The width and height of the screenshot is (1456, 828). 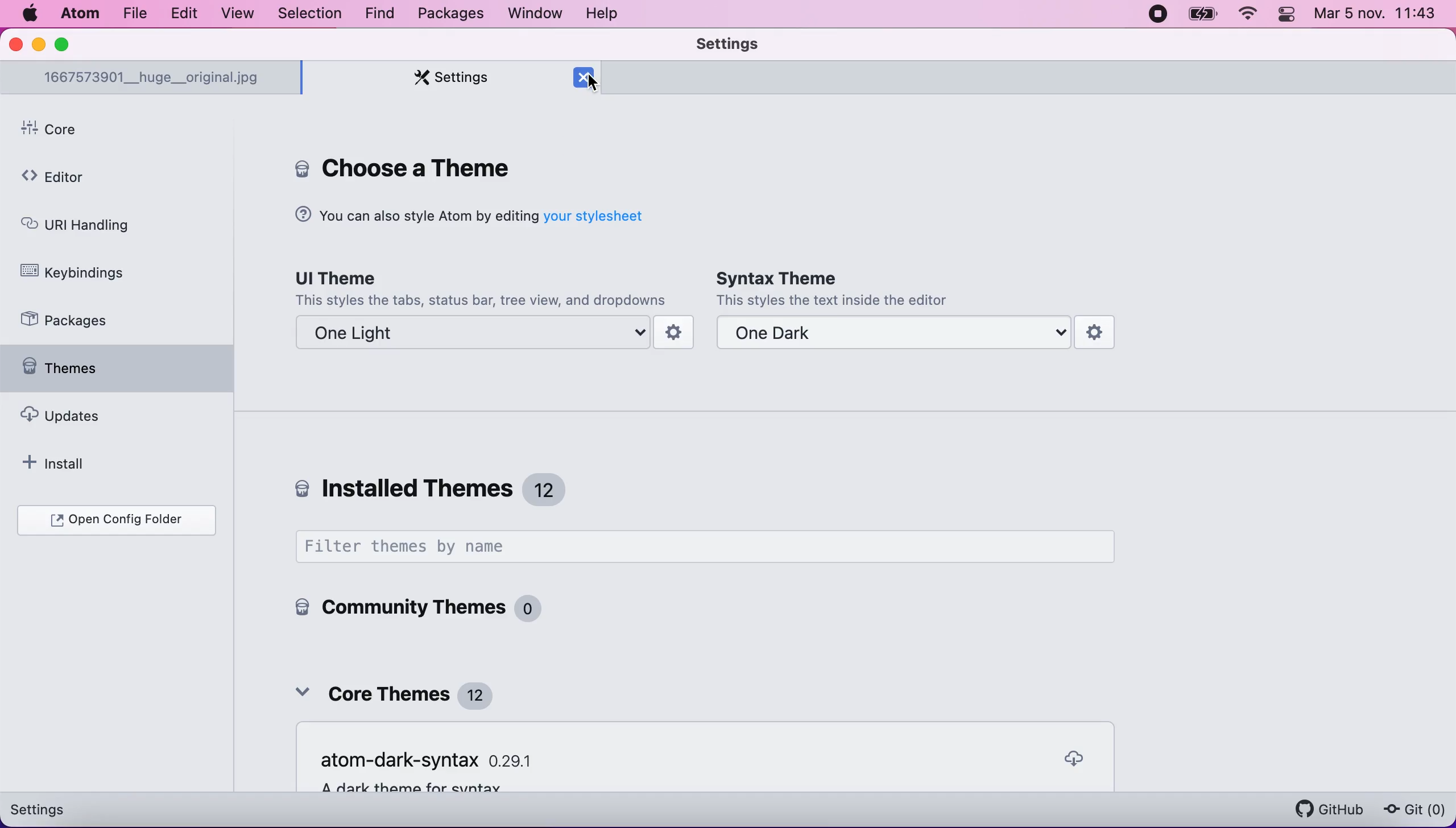 I want to click on 1667573901__huge__original.jpg, so click(x=155, y=78).